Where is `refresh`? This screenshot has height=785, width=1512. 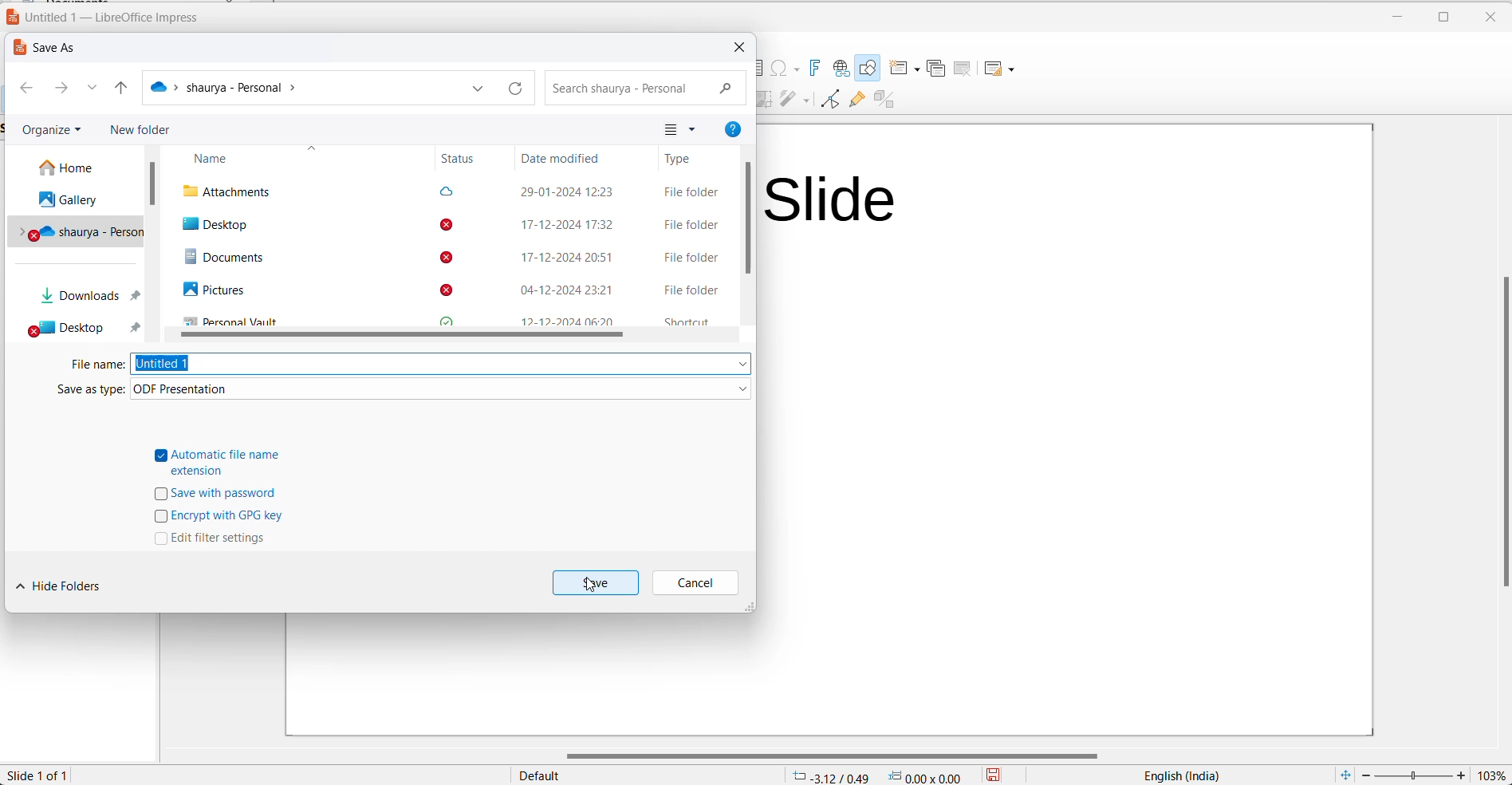
refresh is located at coordinates (518, 89).